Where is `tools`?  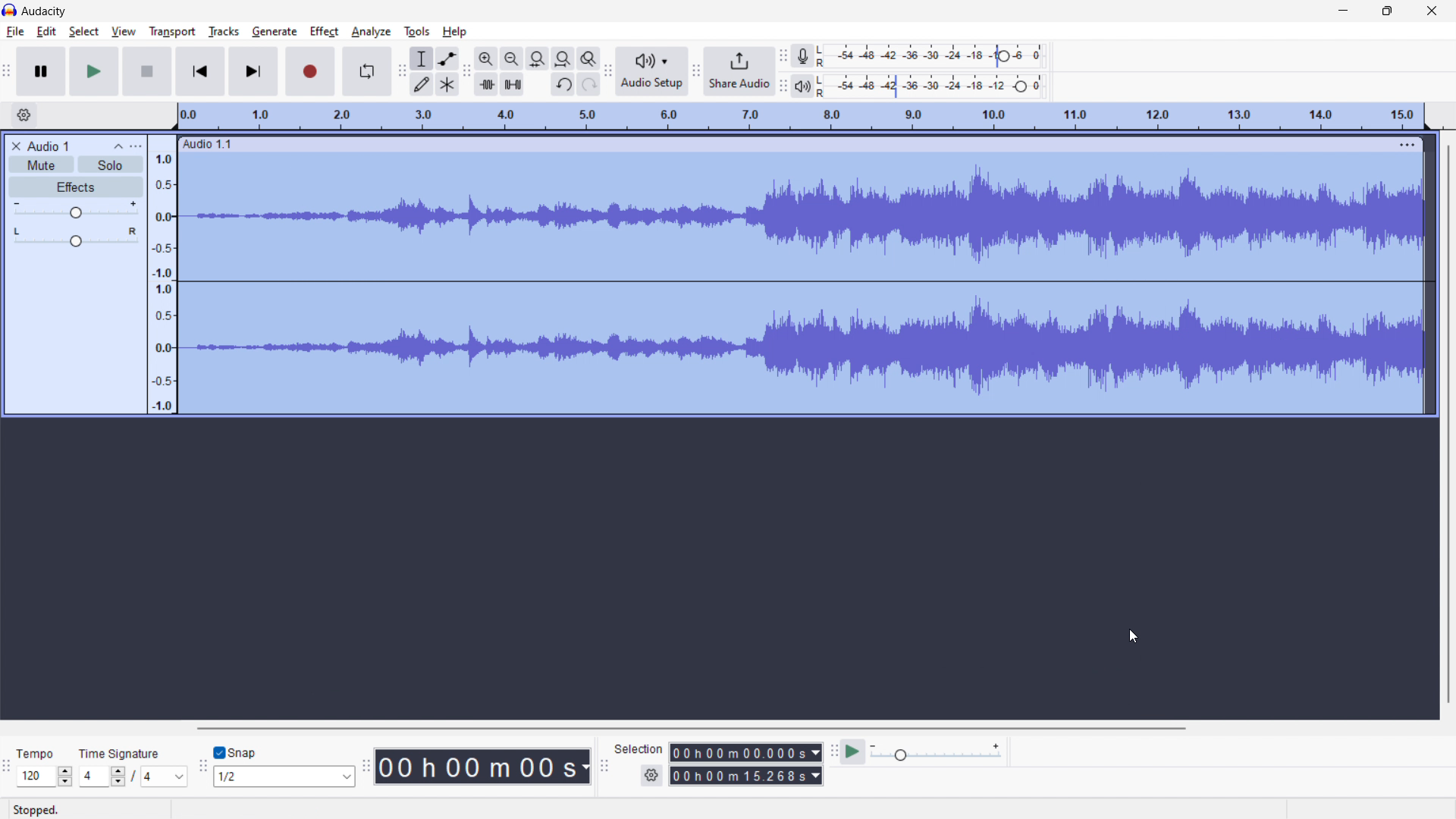 tools is located at coordinates (416, 32).